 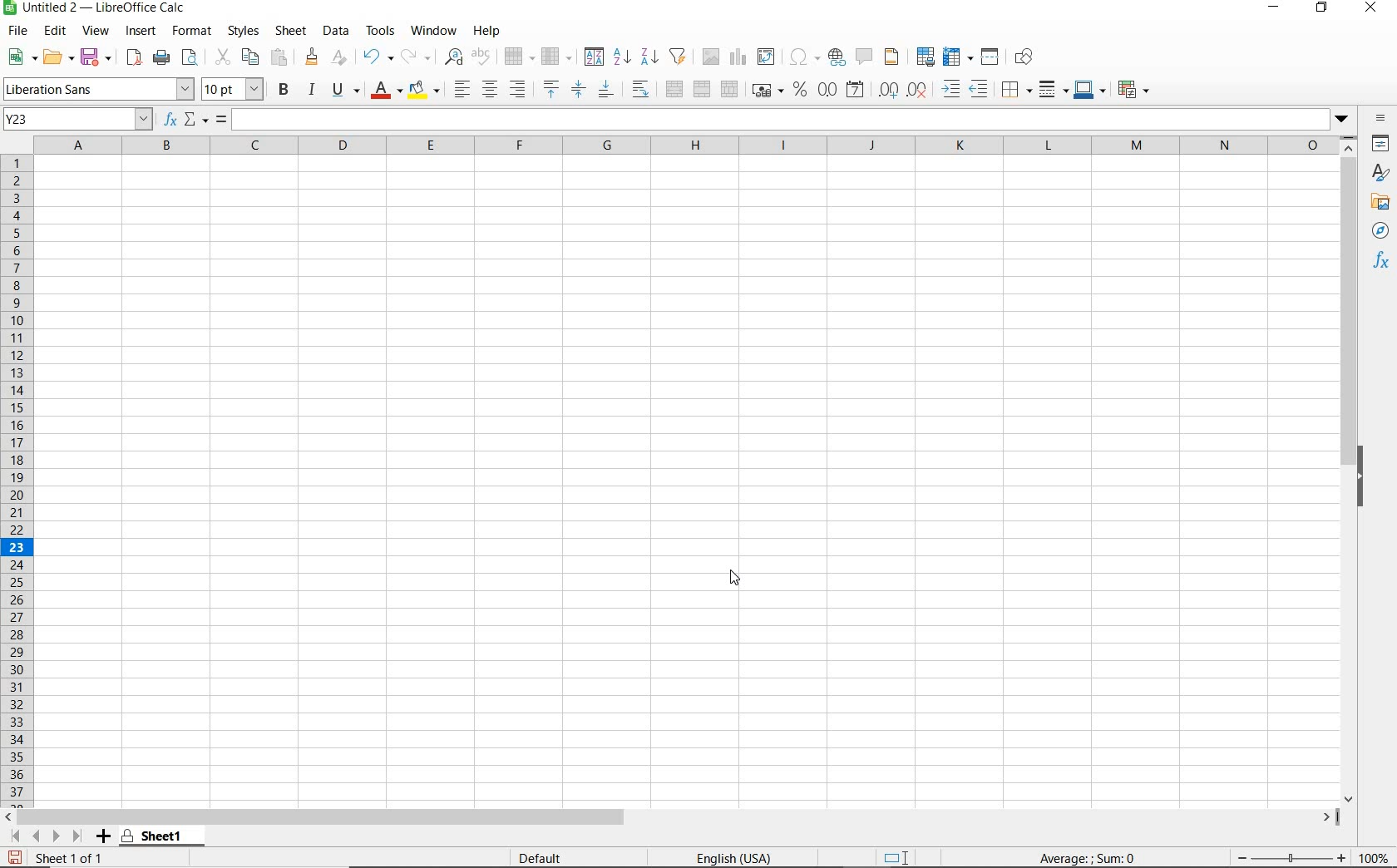 I want to click on FREEZE ROWS AND COLUMNS, so click(x=955, y=57).